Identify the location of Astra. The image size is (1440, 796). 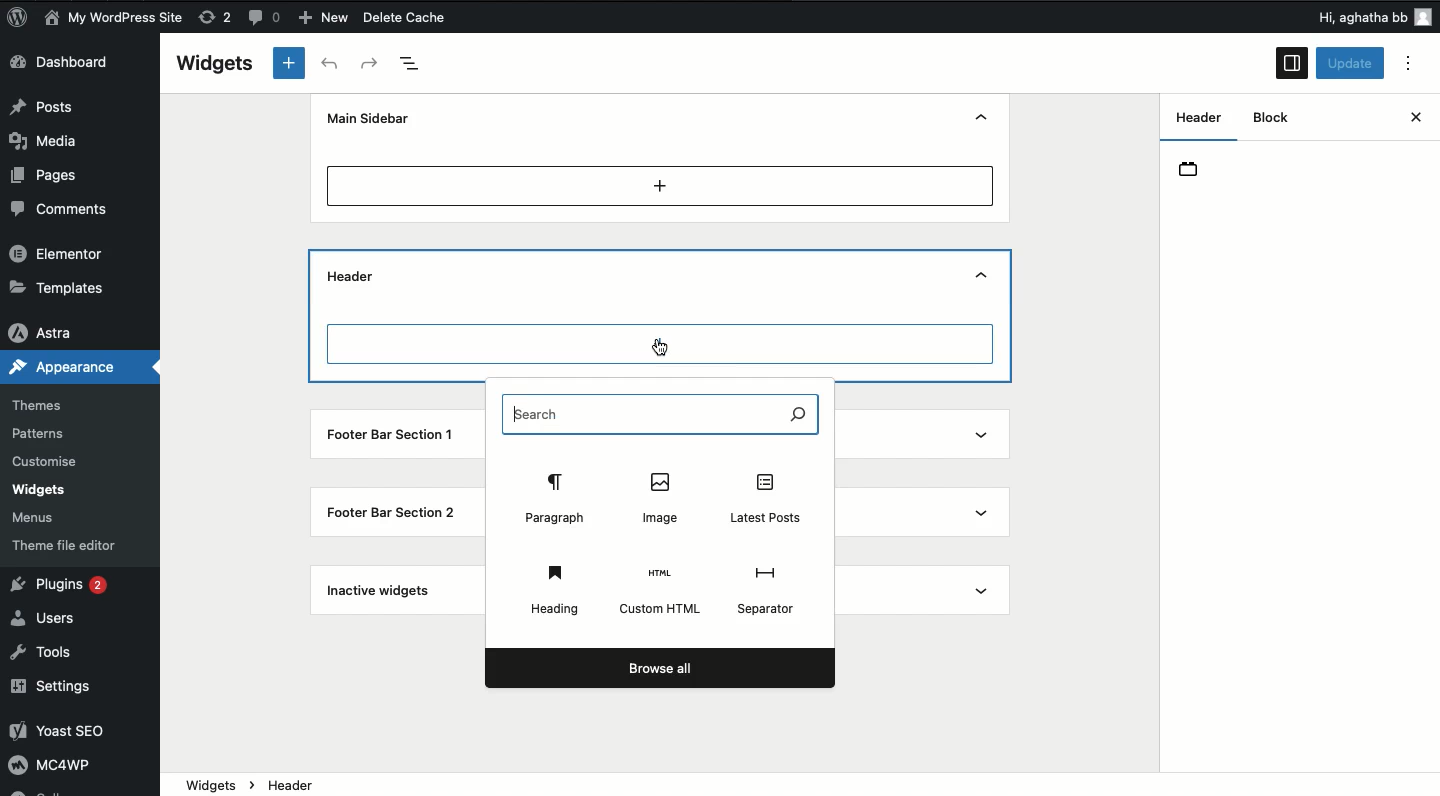
(50, 328).